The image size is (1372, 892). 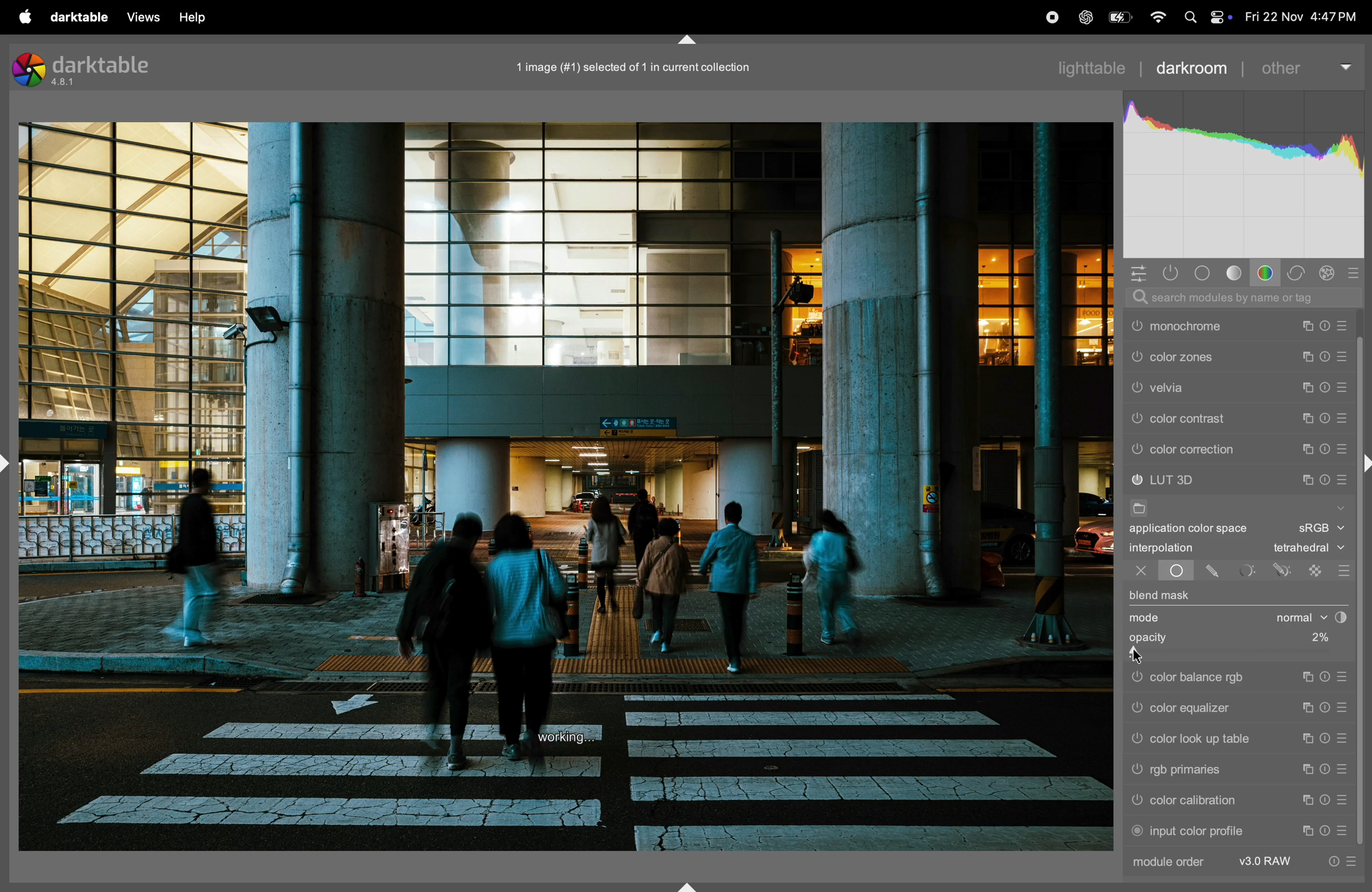 I want to click on reset, so click(x=1326, y=448).